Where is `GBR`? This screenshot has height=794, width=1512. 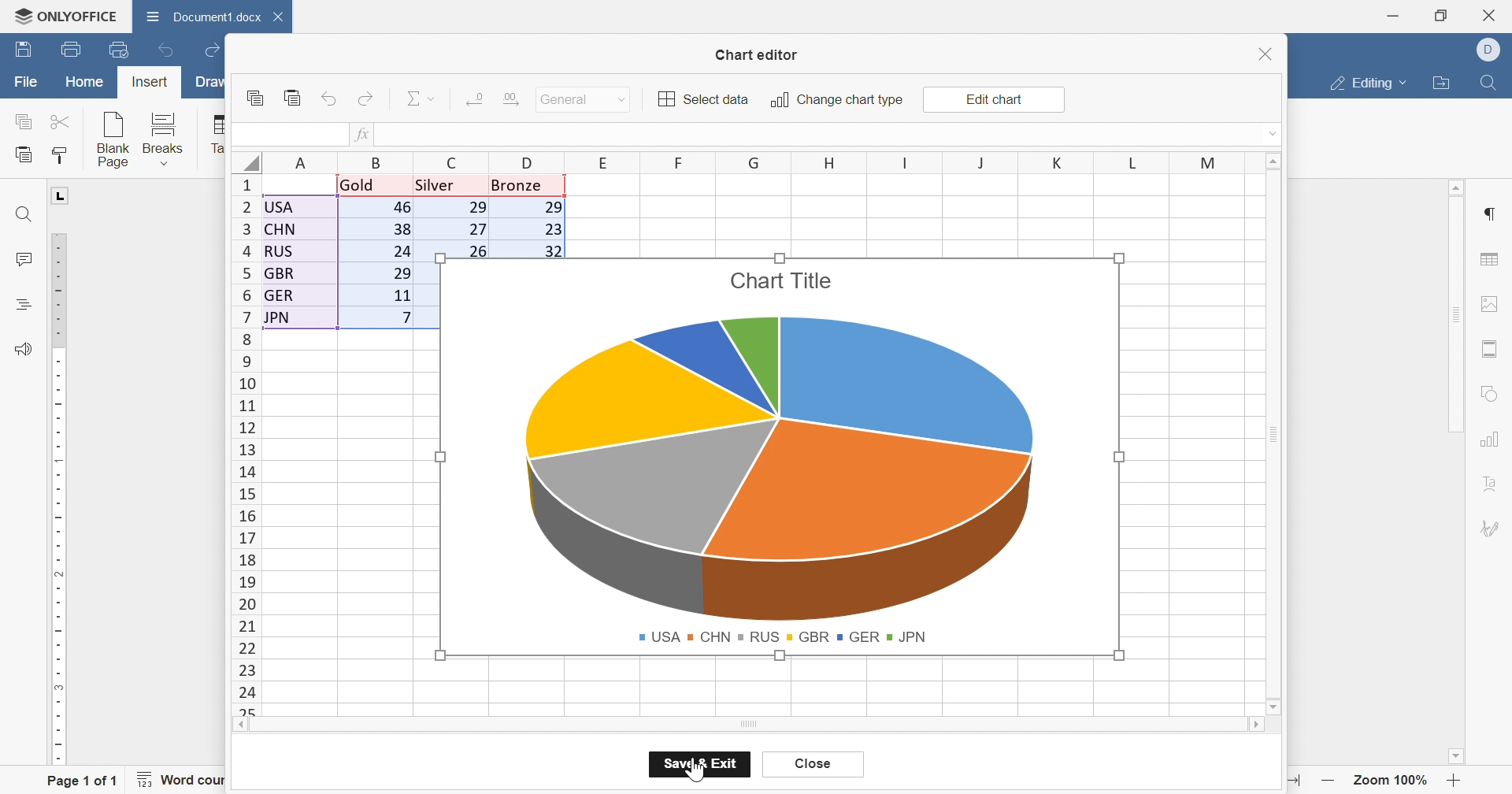
GBR is located at coordinates (808, 636).